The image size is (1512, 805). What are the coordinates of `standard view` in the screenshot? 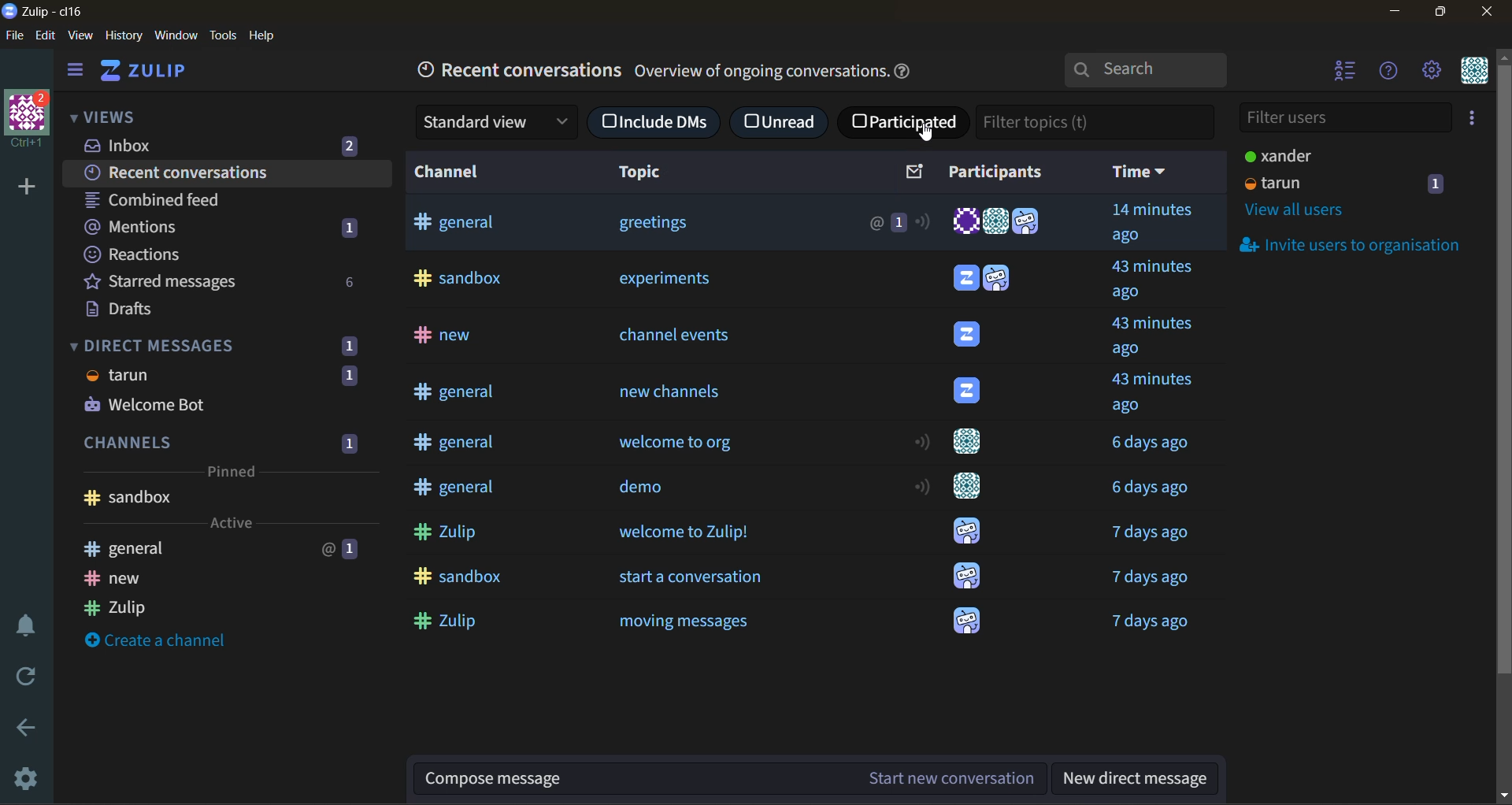 It's located at (502, 122).